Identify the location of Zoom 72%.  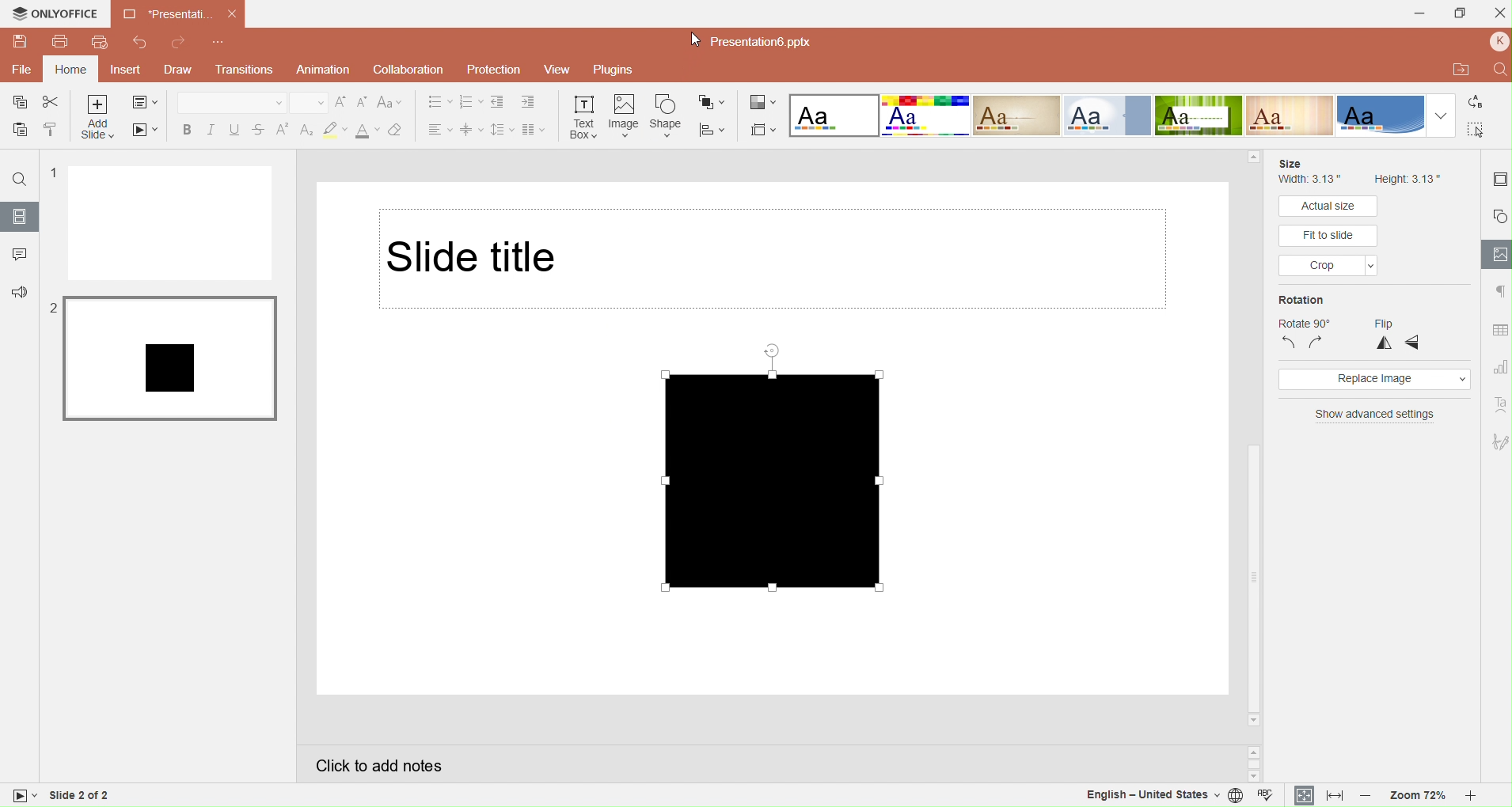
(1419, 796).